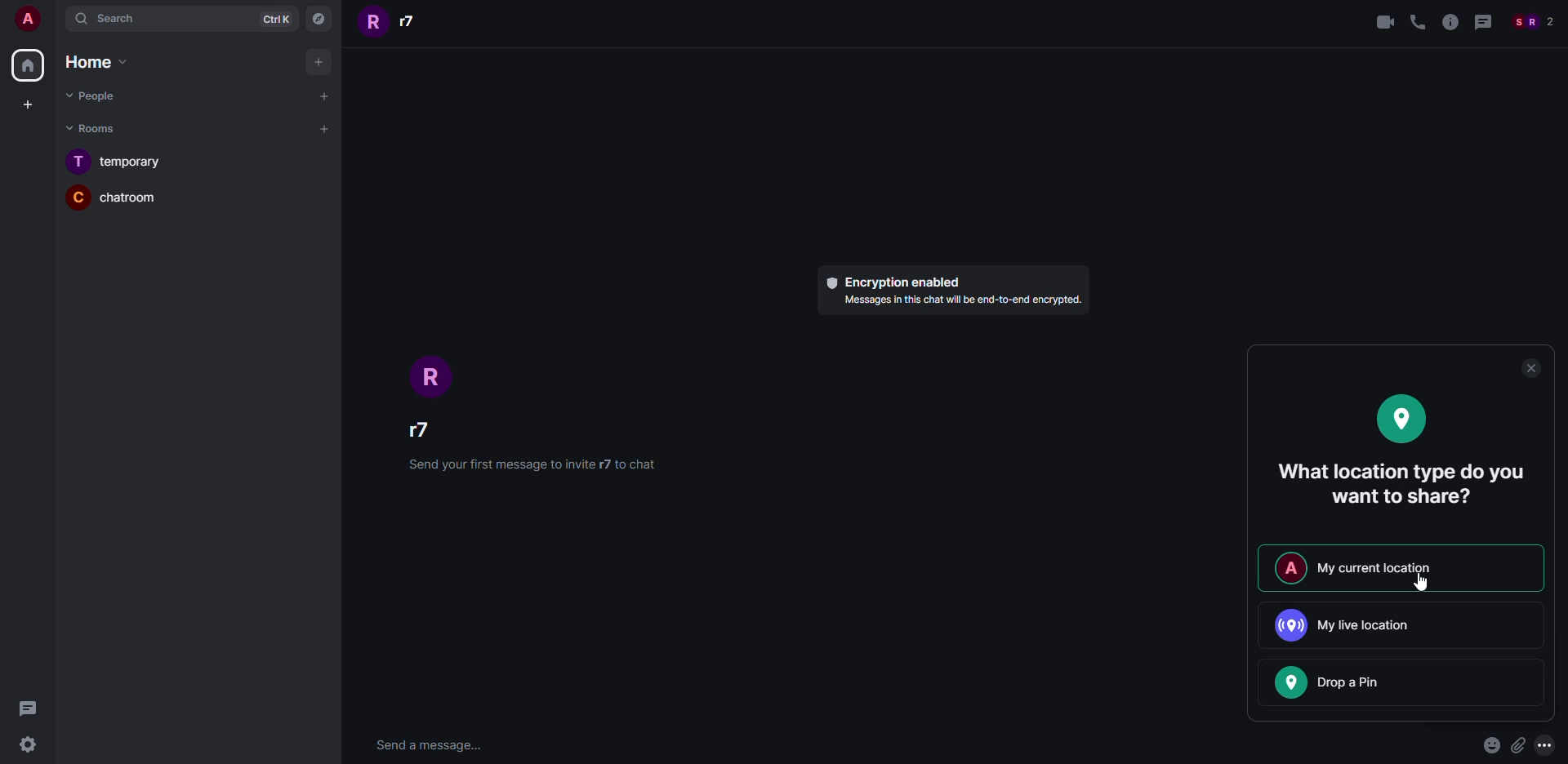  I want to click on Temporary, so click(115, 160).